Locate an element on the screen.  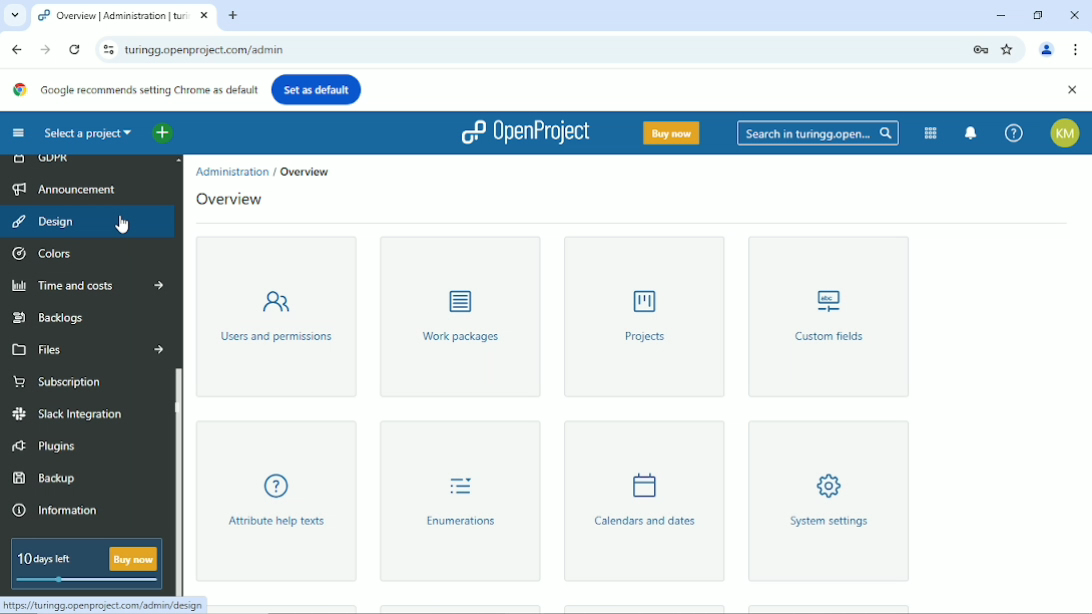
Projects is located at coordinates (645, 317).